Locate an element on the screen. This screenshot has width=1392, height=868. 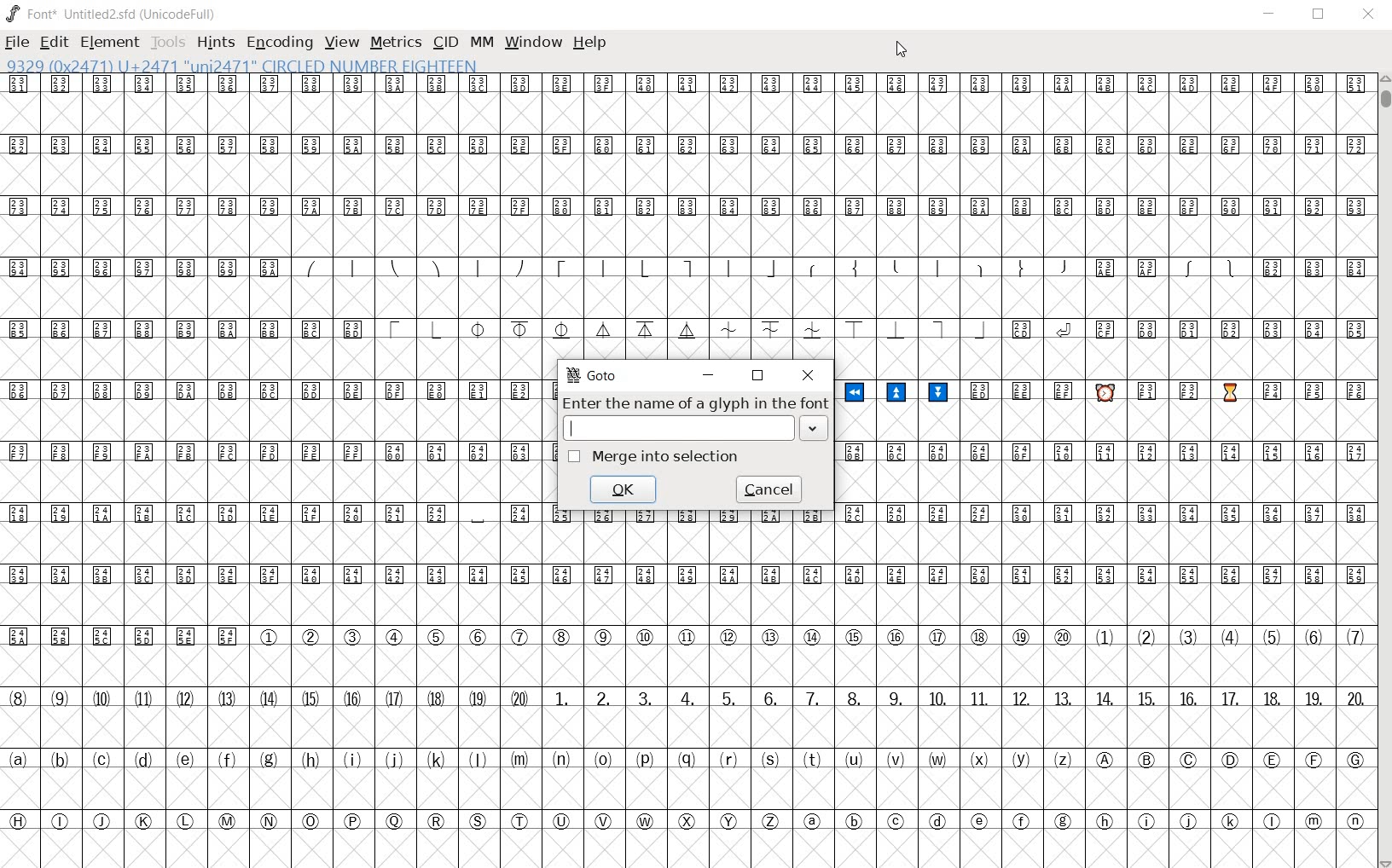
hints is located at coordinates (216, 44).